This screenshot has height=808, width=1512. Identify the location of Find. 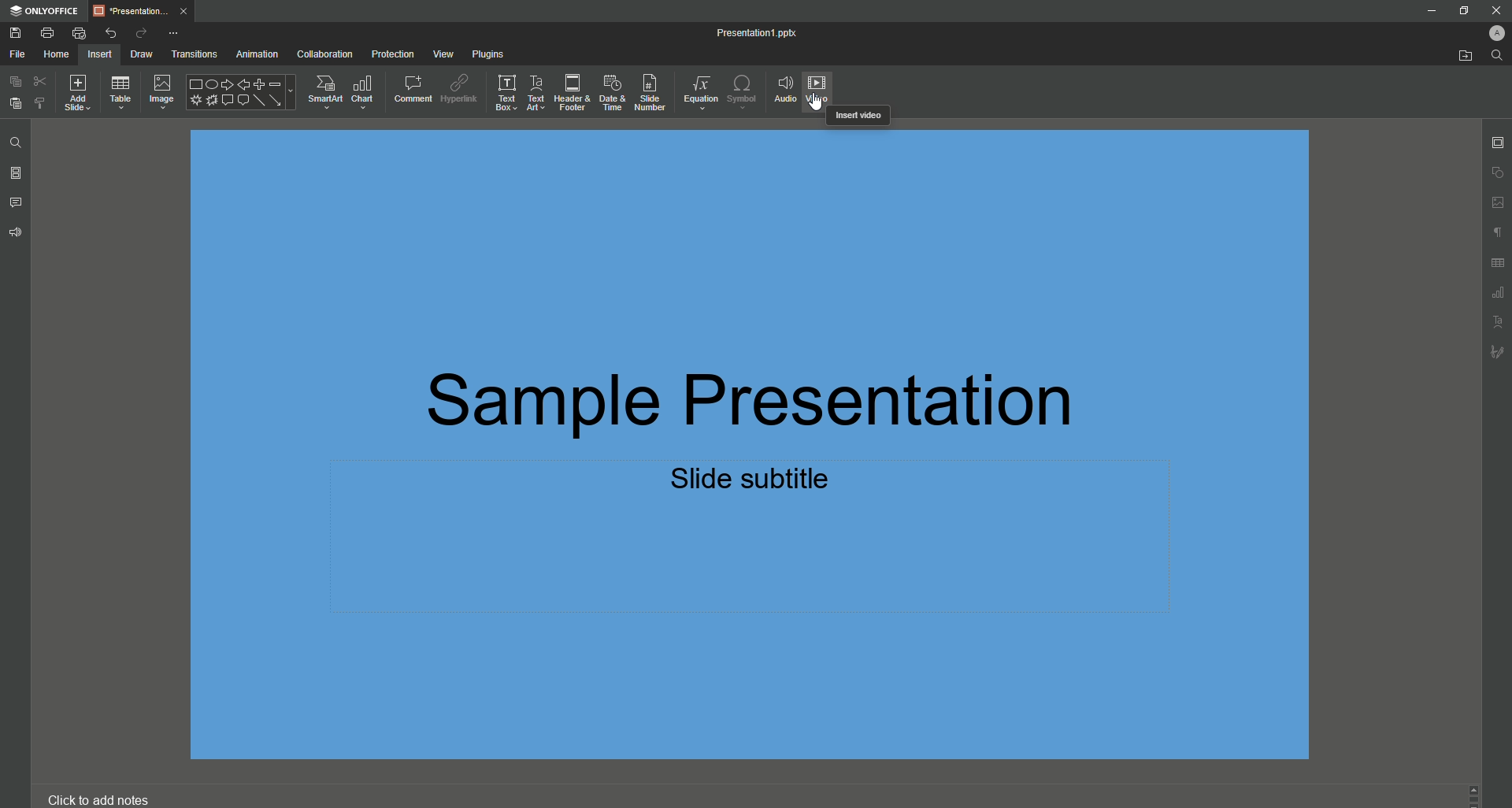
(17, 142).